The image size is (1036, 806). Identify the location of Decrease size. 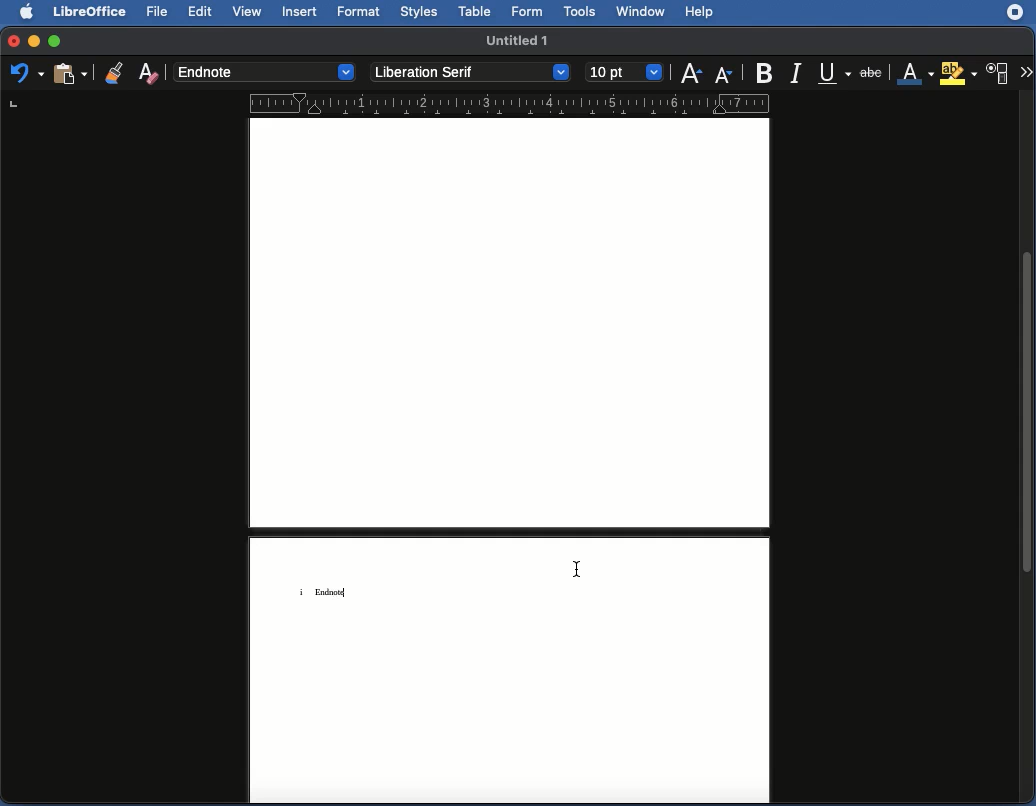
(726, 71).